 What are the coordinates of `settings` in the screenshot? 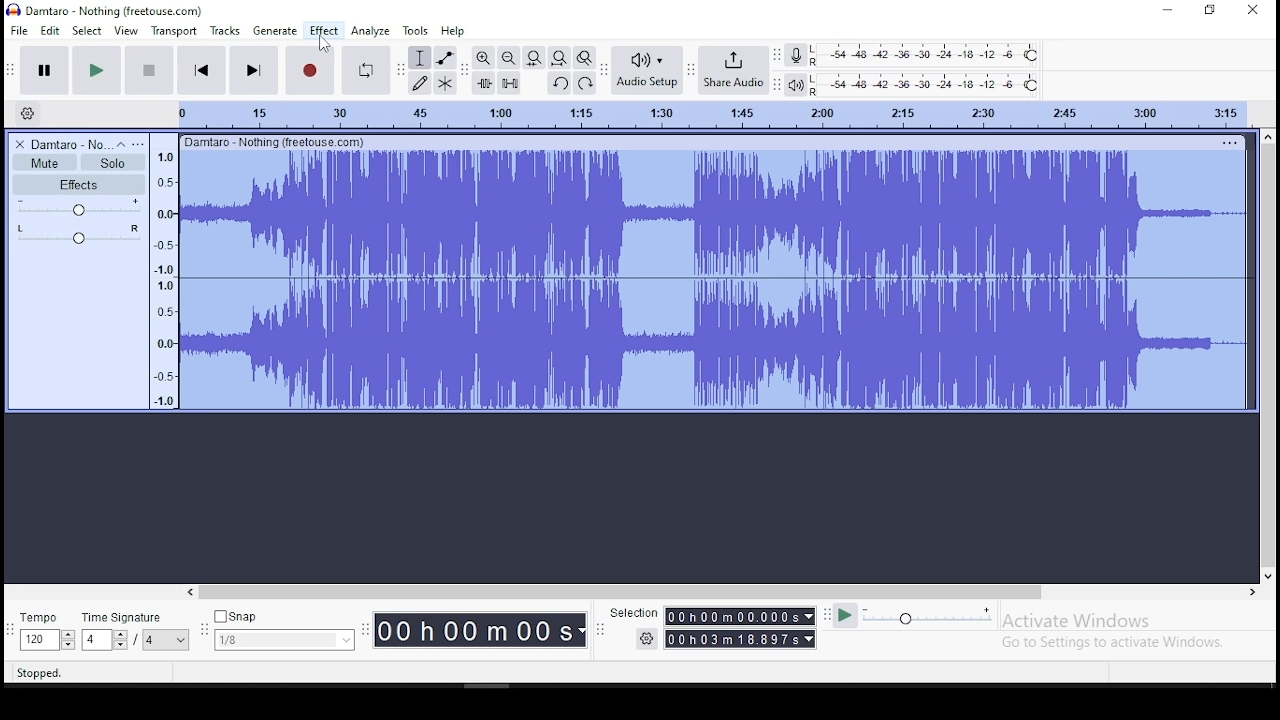 It's located at (646, 640).